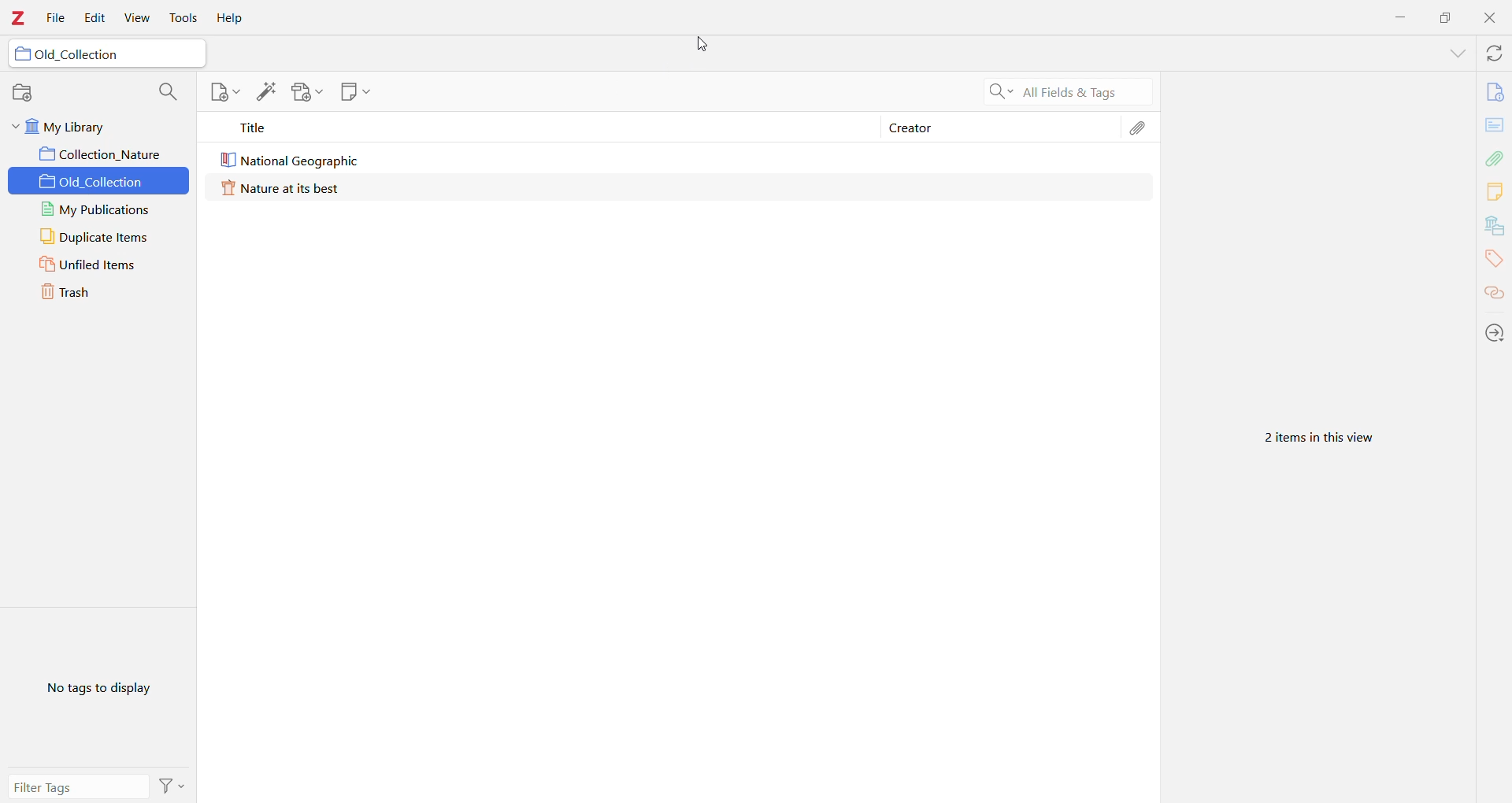  Describe the element at coordinates (704, 44) in the screenshot. I see `cursor` at that location.